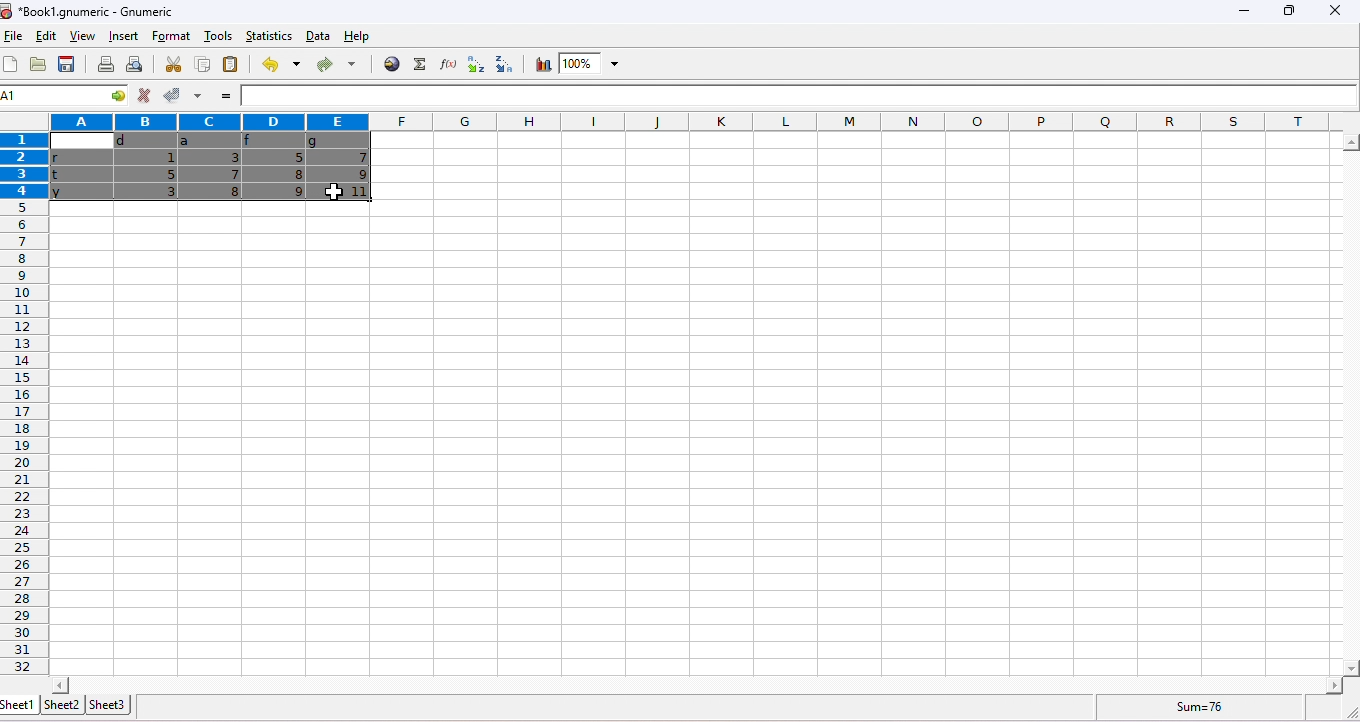  What do you see at coordinates (61, 704) in the screenshot?
I see `sheet2` at bounding box center [61, 704].